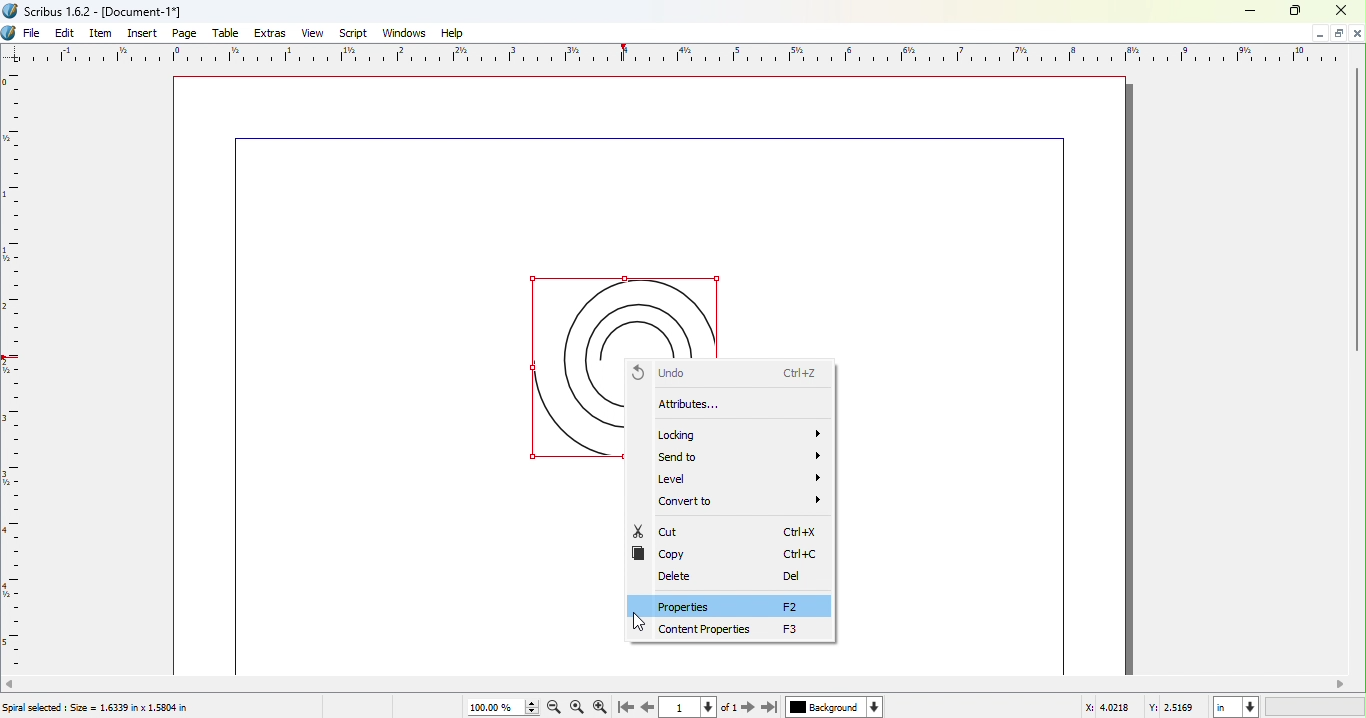  What do you see at coordinates (623, 708) in the screenshot?
I see `Go to the last page` at bounding box center [623, 708].